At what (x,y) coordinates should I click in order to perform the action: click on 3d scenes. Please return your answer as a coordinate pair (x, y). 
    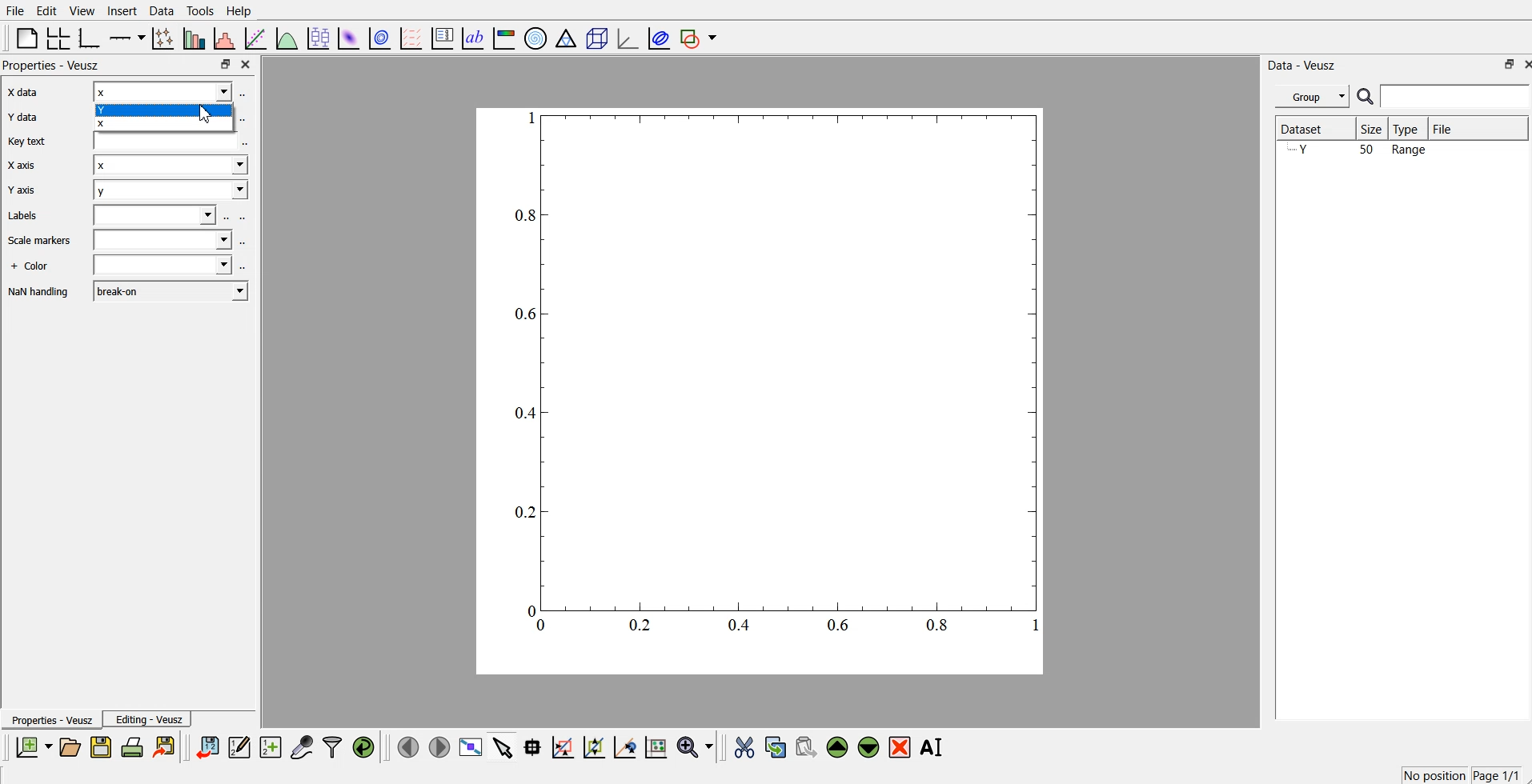
    Looking at the image, I should click on (595, 35).